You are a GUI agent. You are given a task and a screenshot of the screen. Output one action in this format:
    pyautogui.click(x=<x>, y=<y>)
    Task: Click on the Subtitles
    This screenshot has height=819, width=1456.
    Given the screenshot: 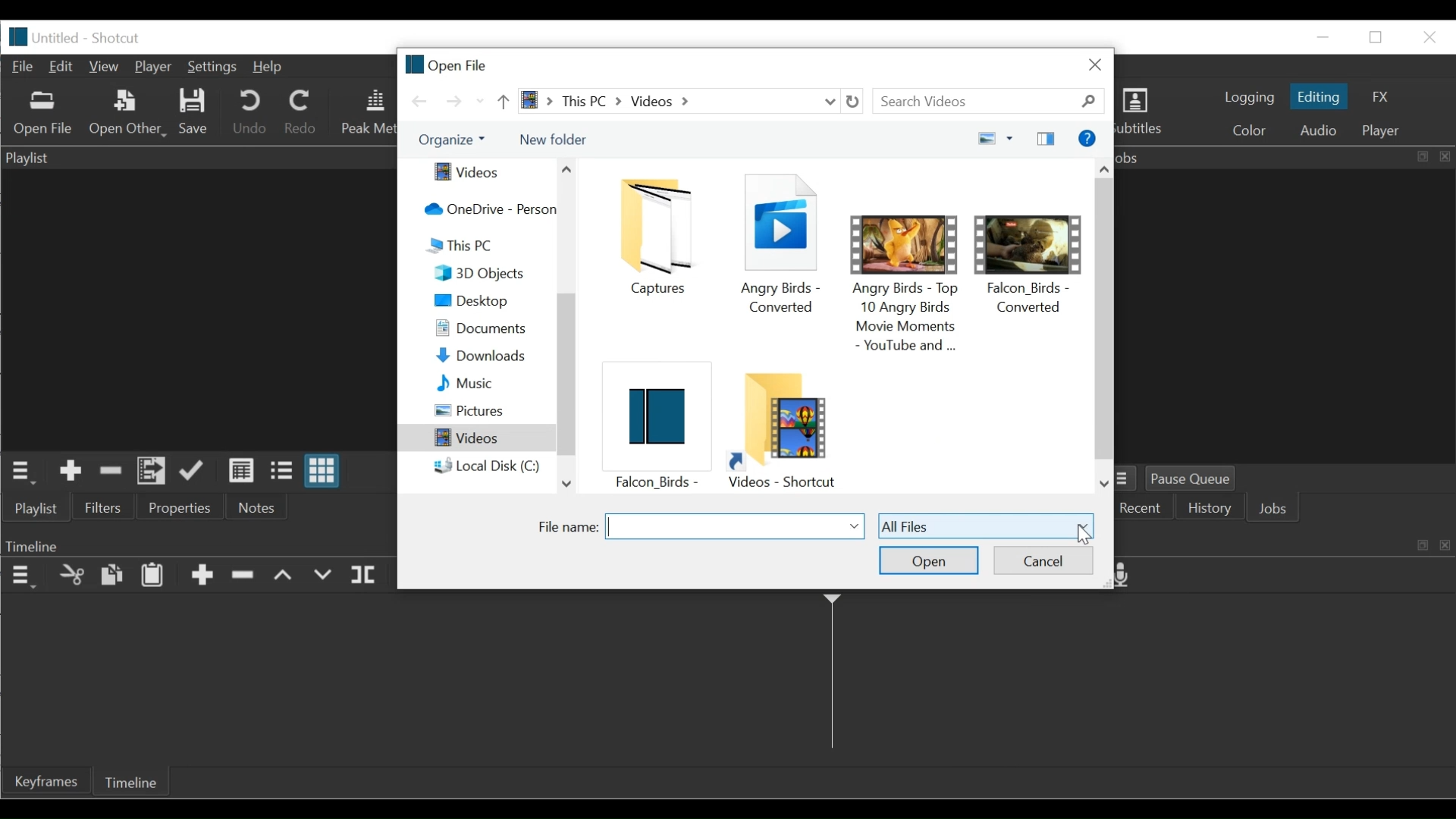 What is the action you would take?
    pyautogui.click(x=1147, y=114)
    